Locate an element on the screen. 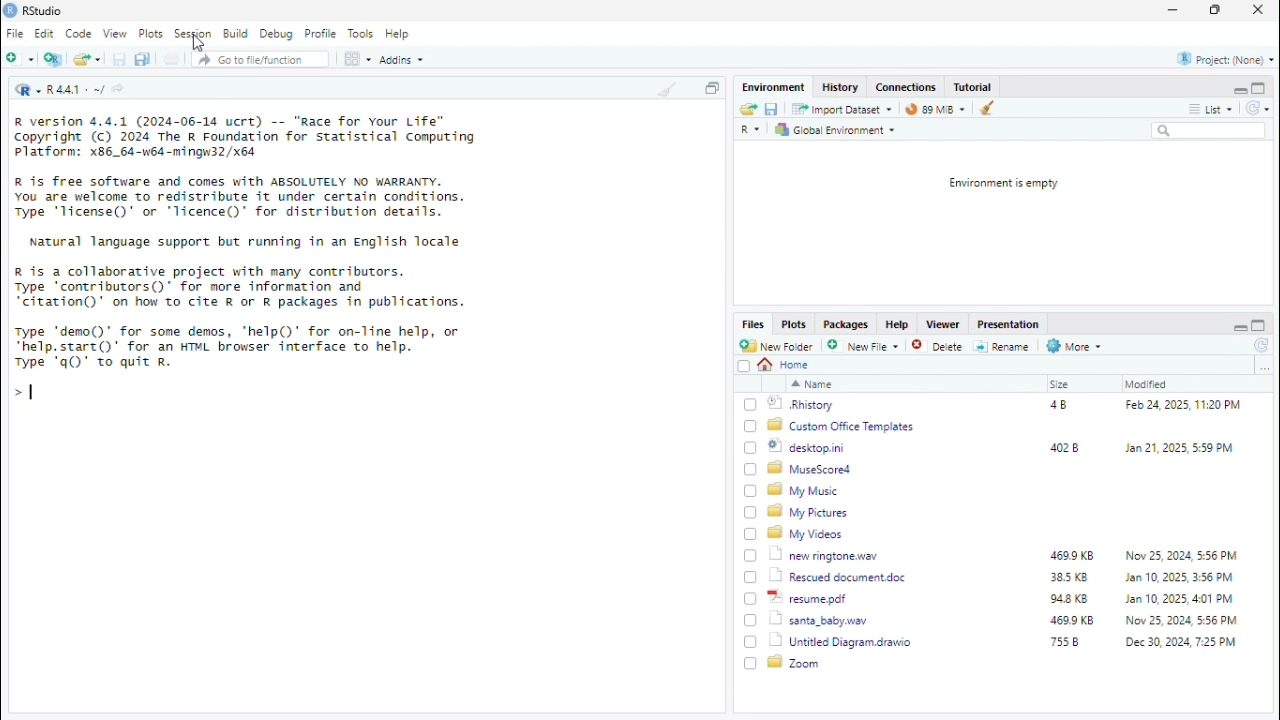  file is located at coordinates (171, 58).